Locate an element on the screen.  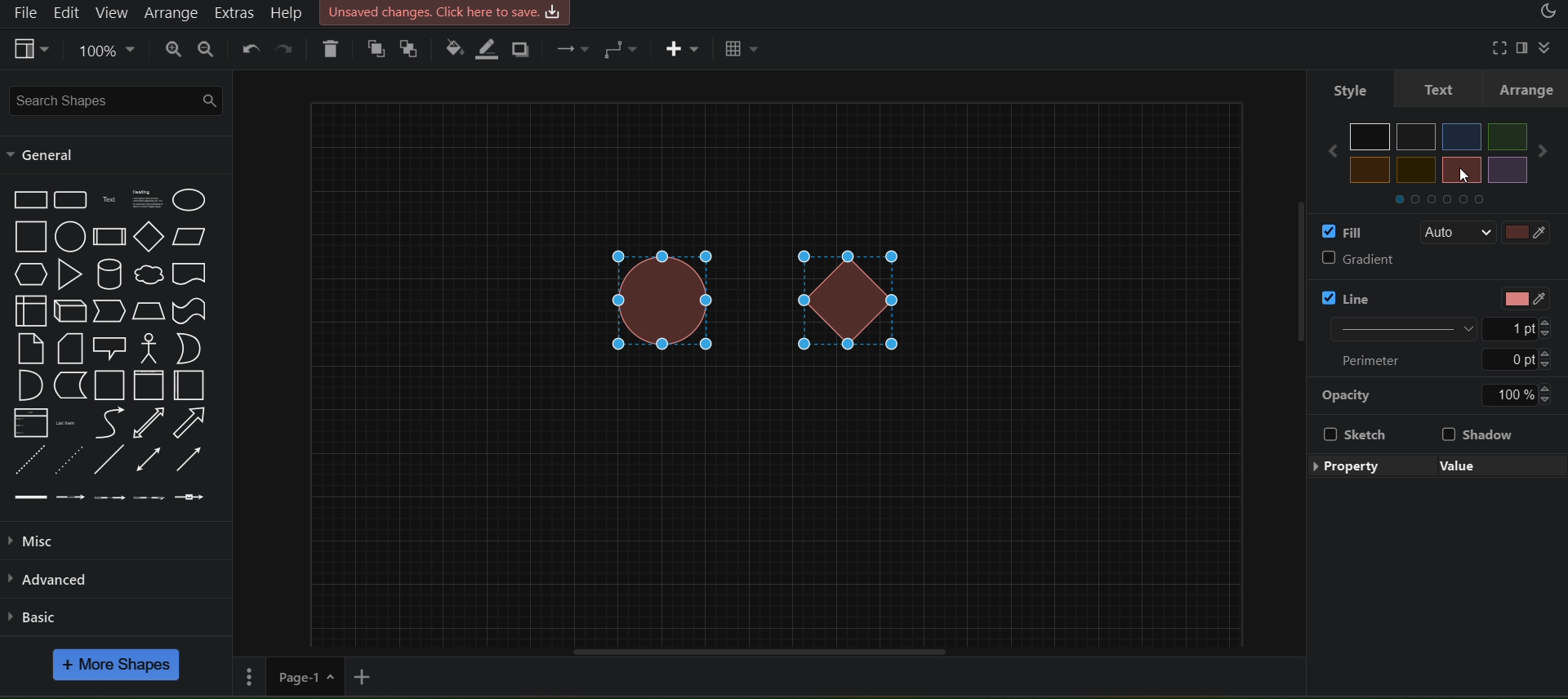
fill color is located at coordinates (1533, 230).